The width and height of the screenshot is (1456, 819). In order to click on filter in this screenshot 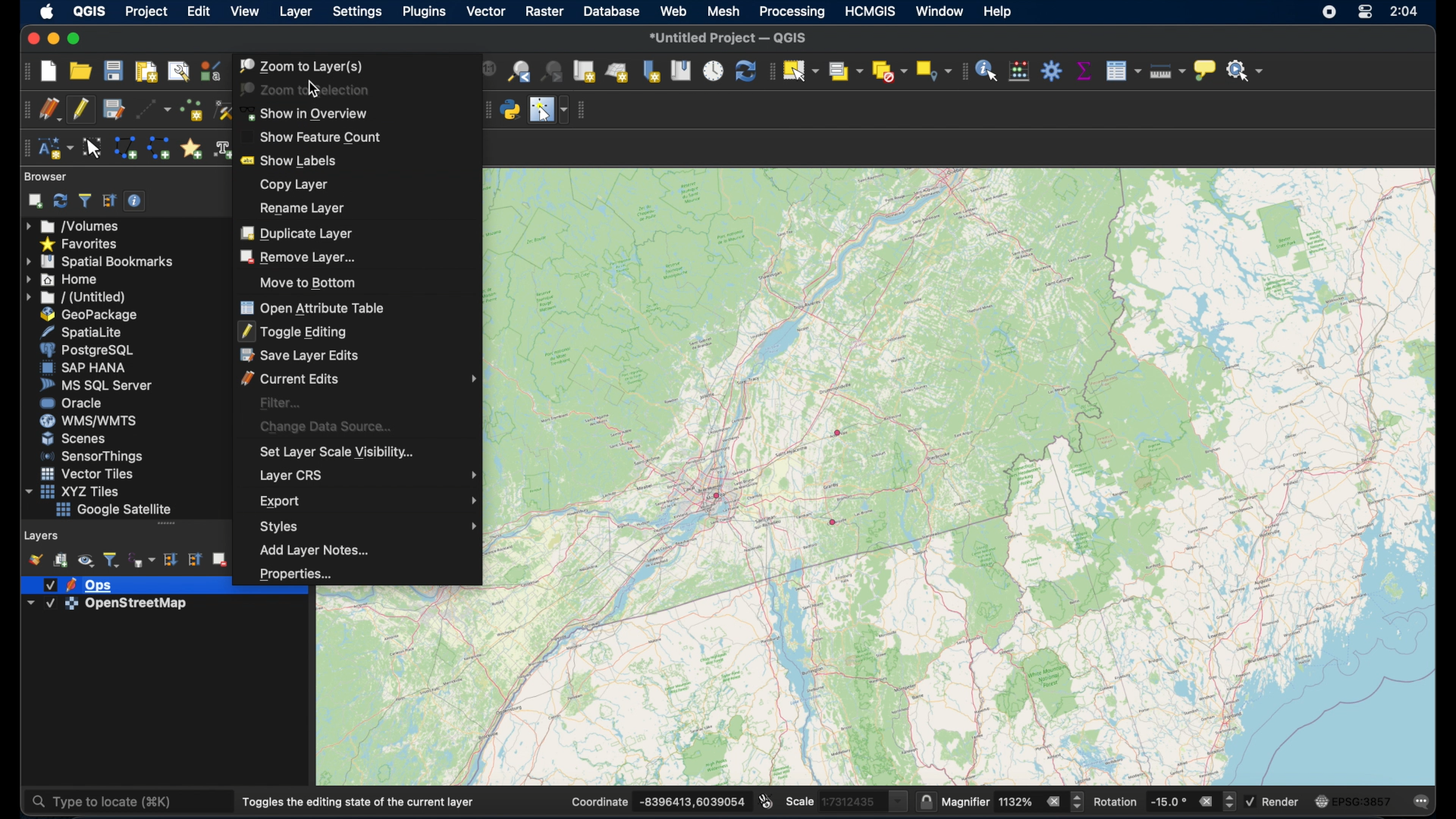, I will do `click(281, 402)`.